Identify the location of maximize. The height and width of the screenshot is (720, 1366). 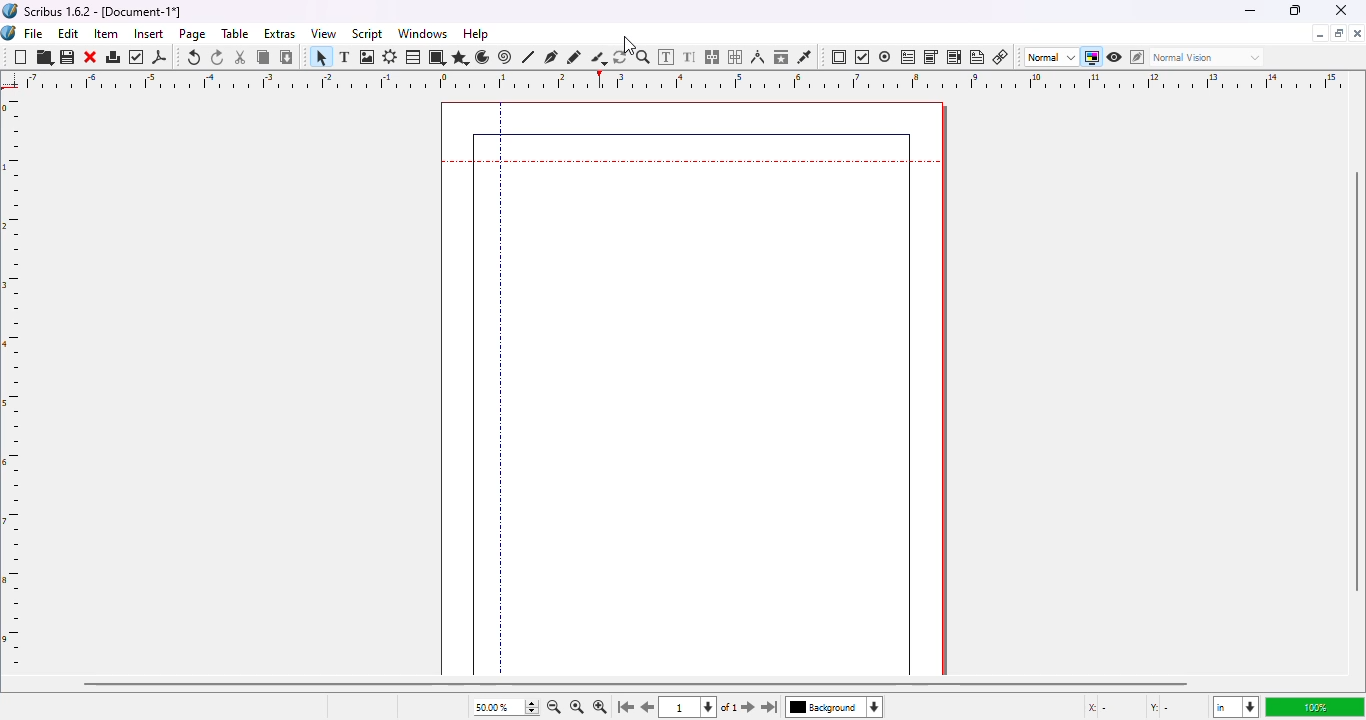
(1294, 10).